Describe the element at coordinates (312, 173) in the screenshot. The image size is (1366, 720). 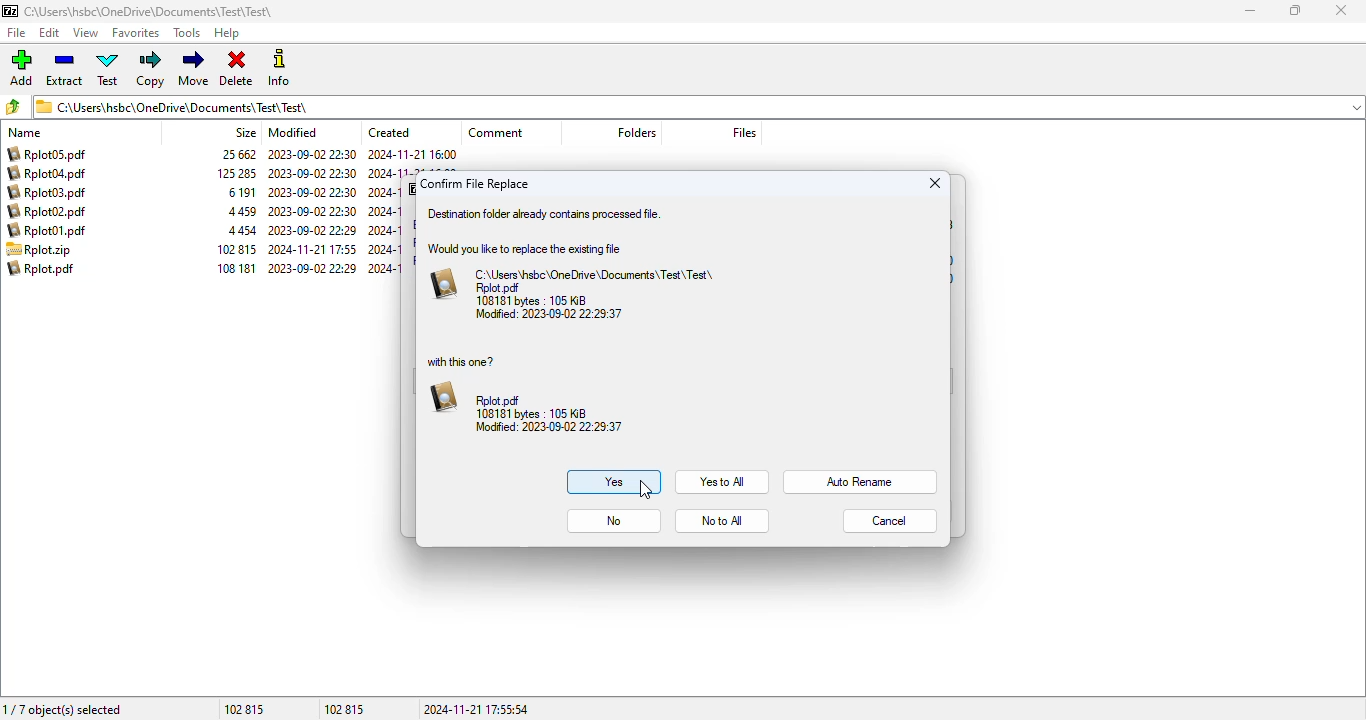
I see `2023-09-02 22:30` at that location.